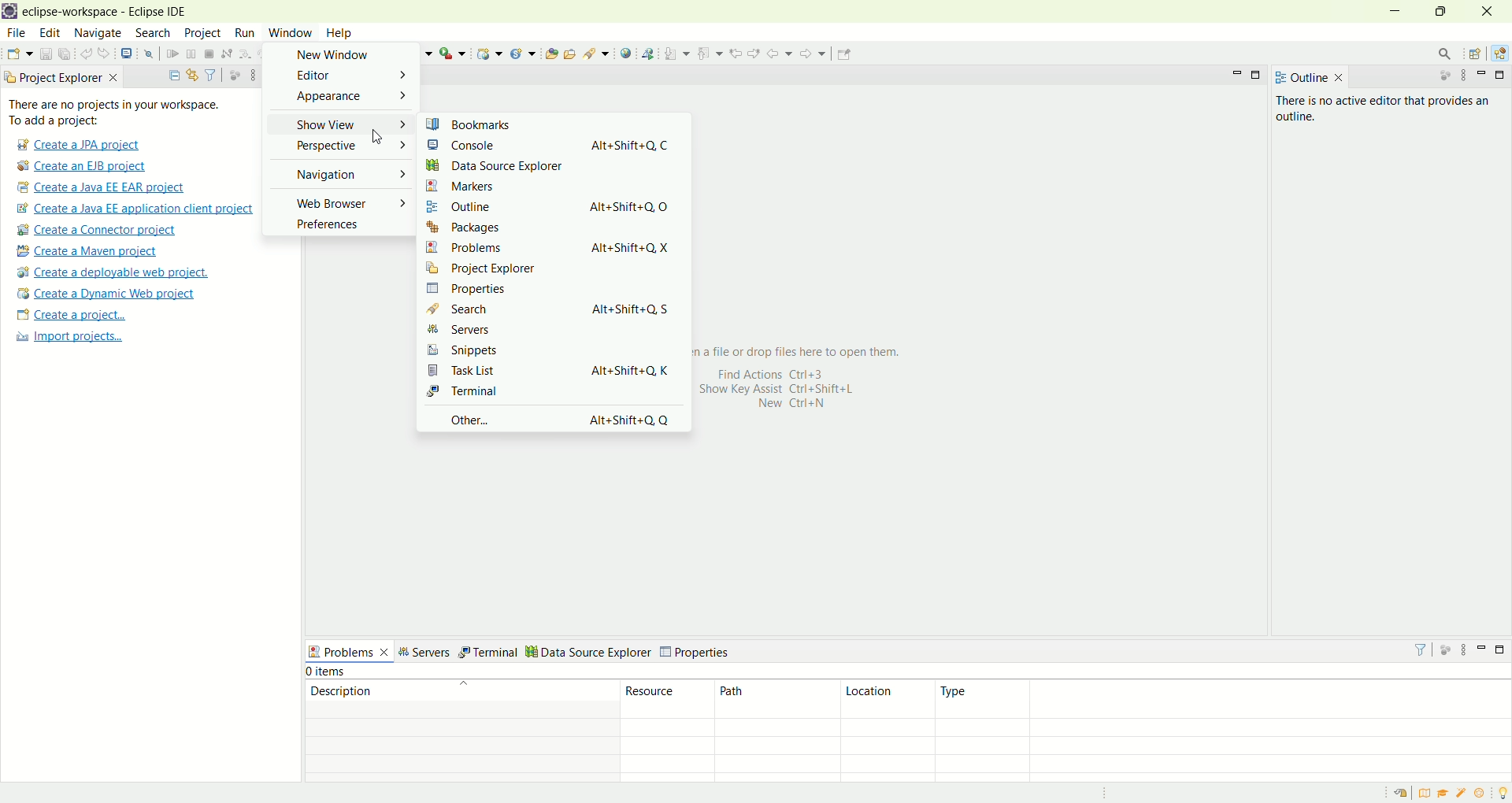 This screenshot has width=1512, height=803. What do you see at coordinates (209, 53) in the screenshot?
I see `terminate` at bounding box center [209, 53].